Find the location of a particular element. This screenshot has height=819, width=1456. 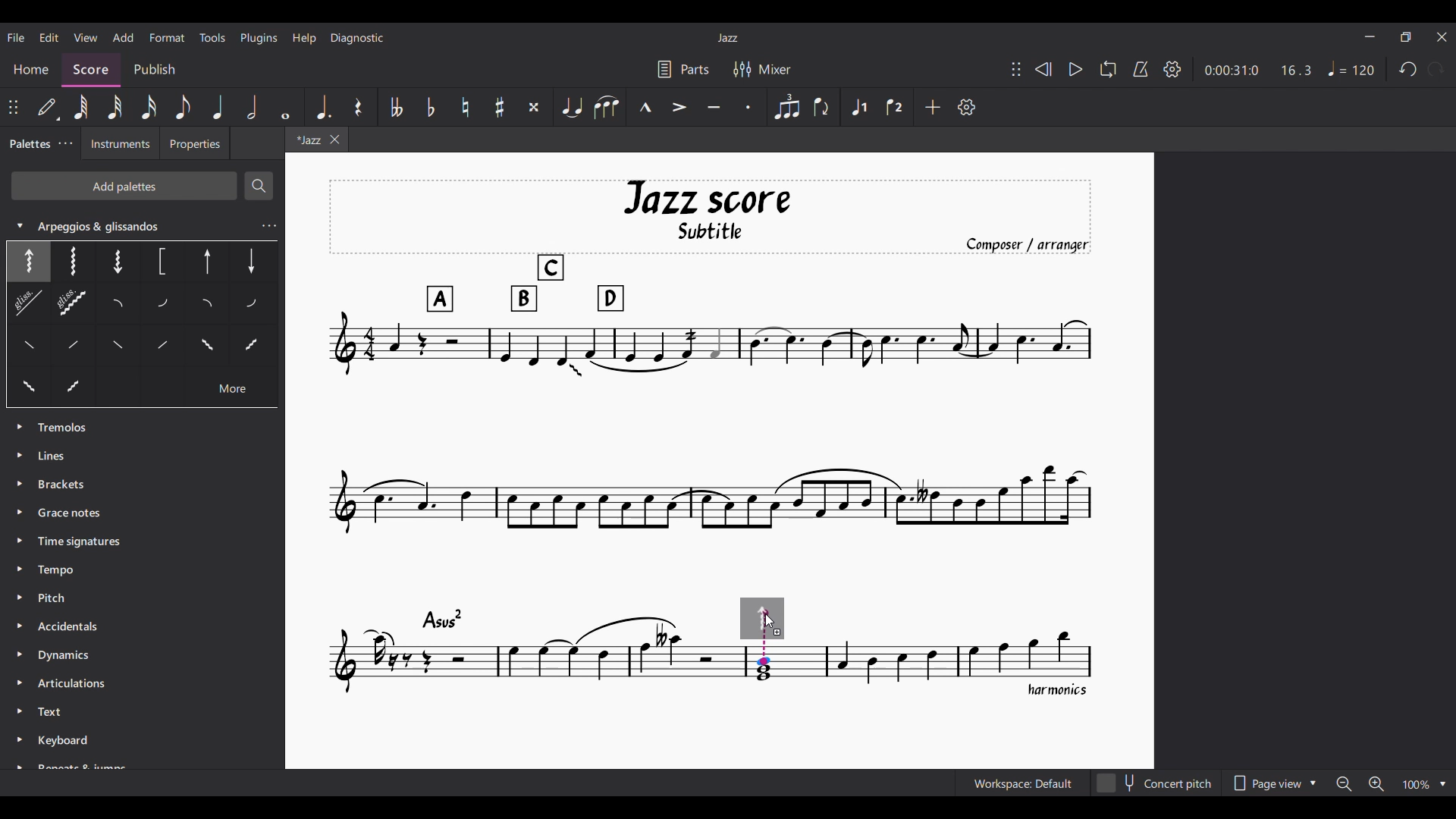

 is located at coordinates (86, 384).